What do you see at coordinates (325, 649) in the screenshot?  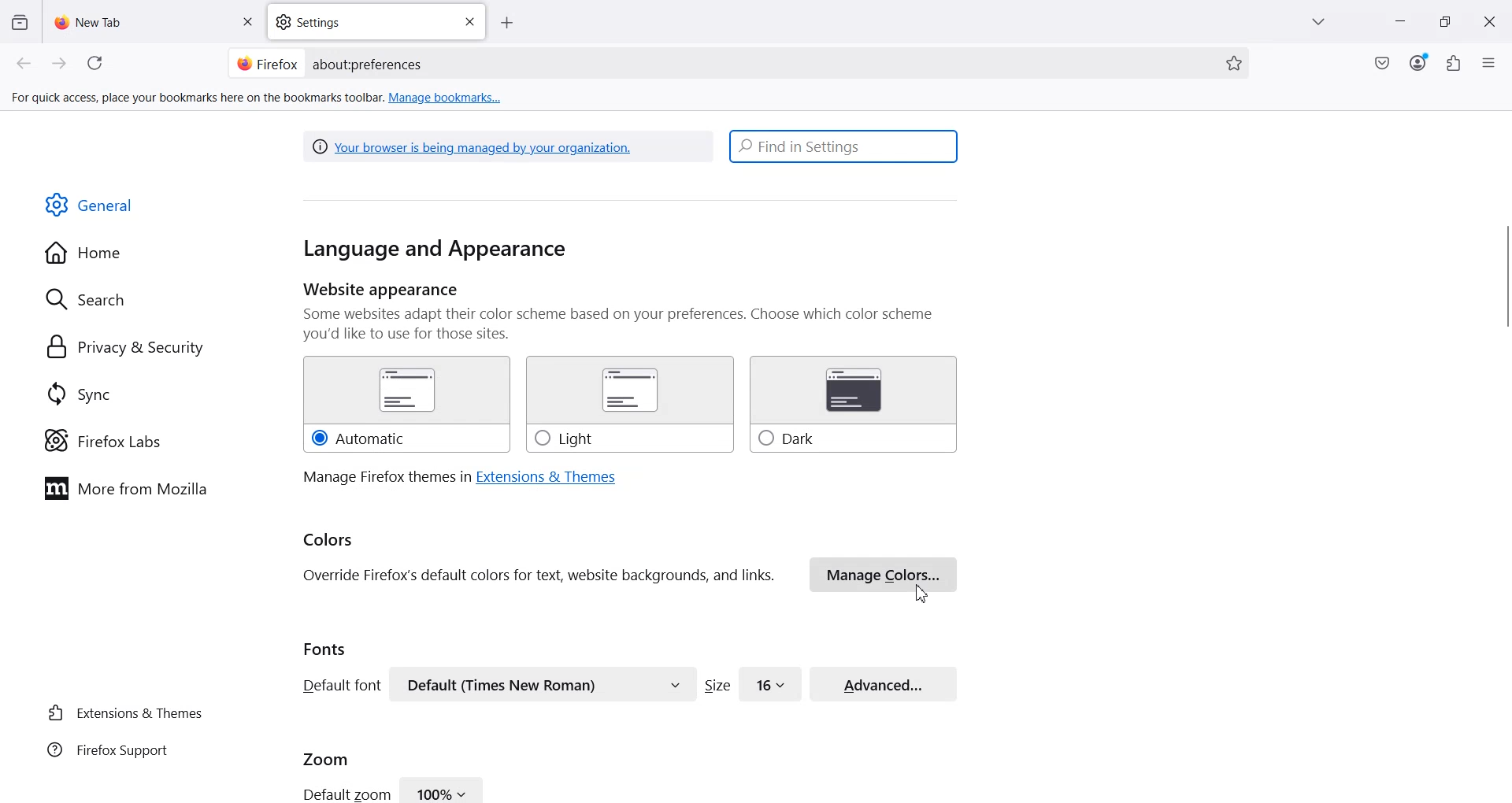 I see `Fonts` at bounding box center [325, 649].